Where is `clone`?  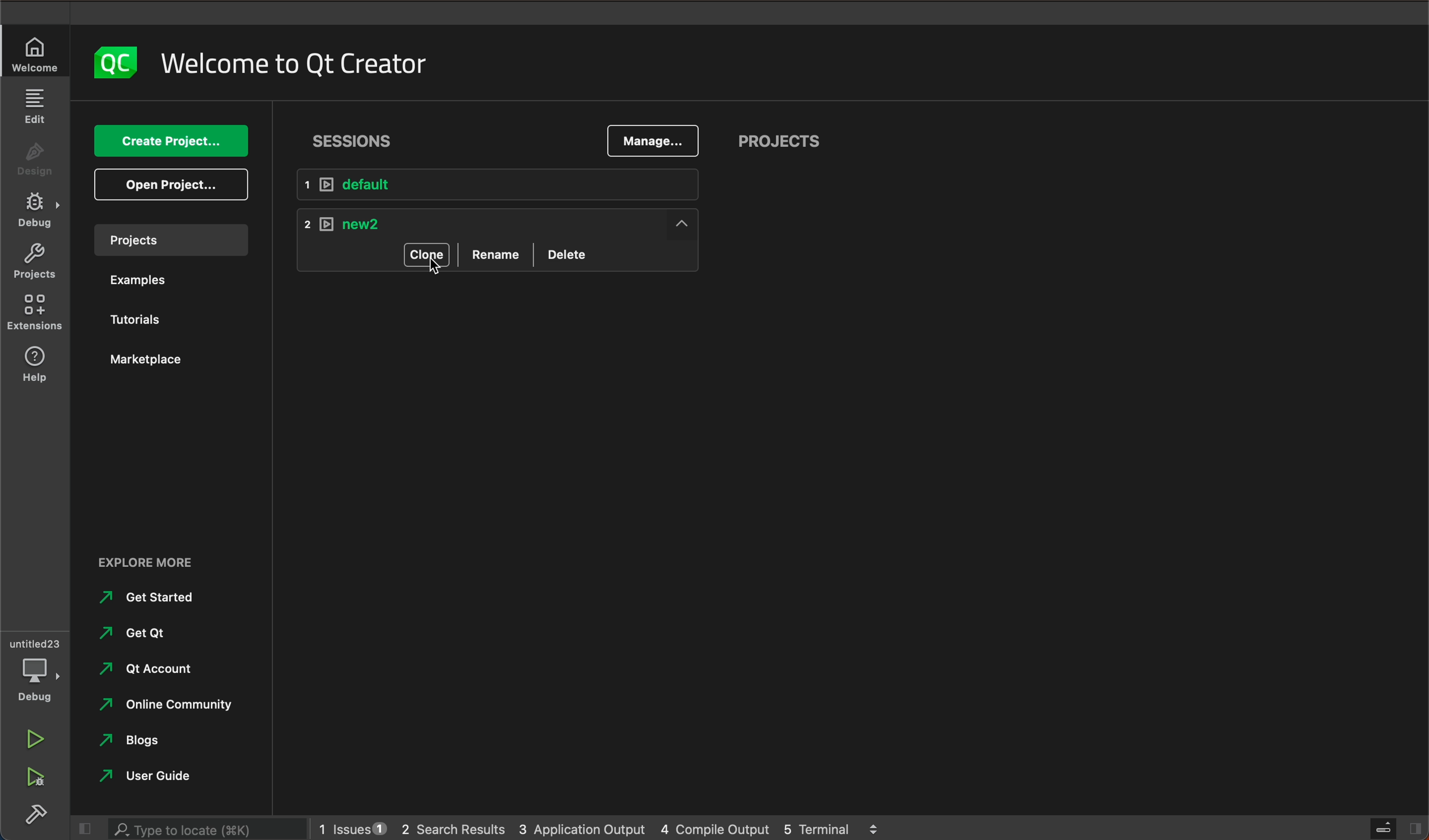
clone is located at coordinates (422, 254).